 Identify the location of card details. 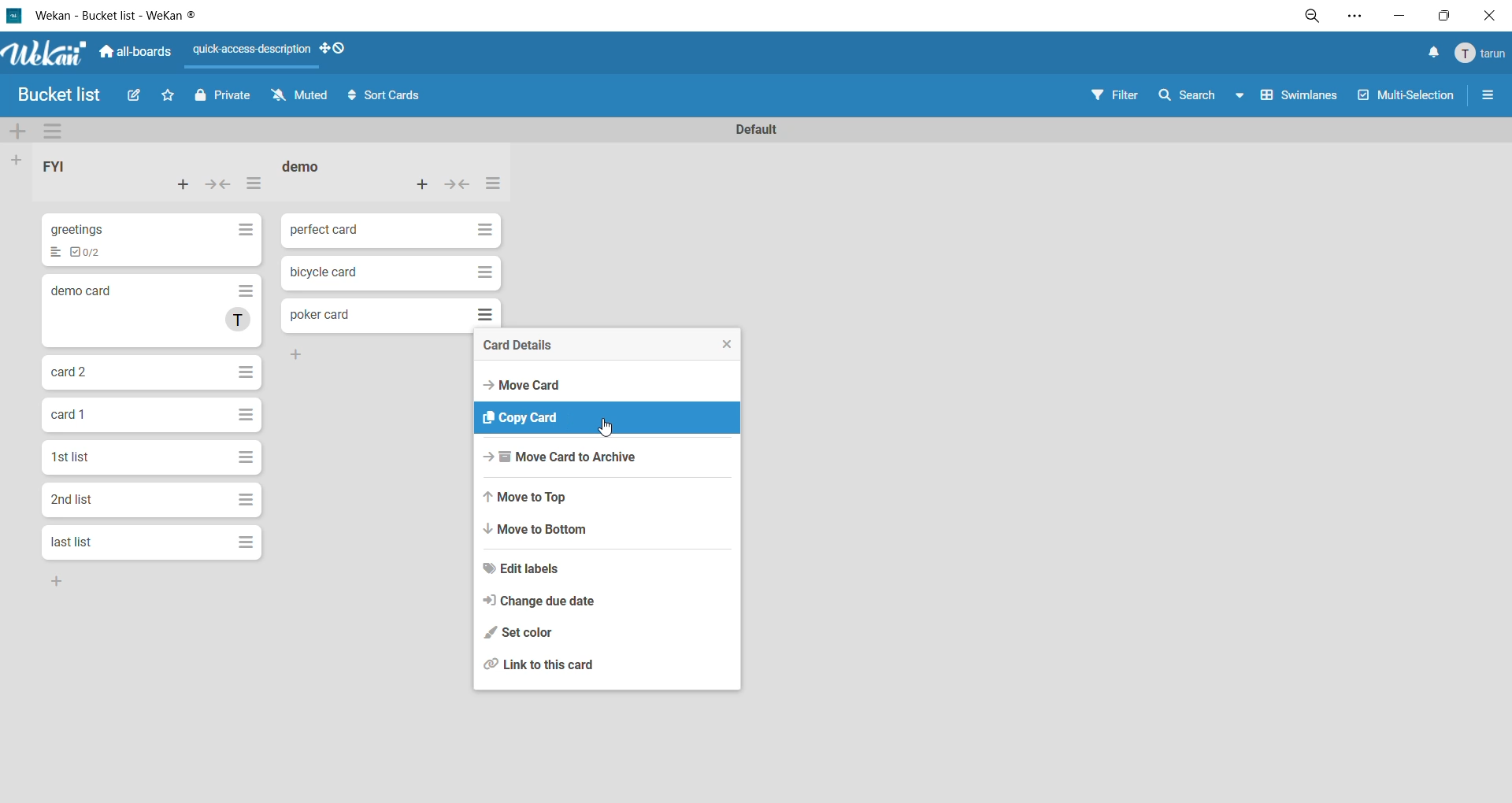
(521, 346).